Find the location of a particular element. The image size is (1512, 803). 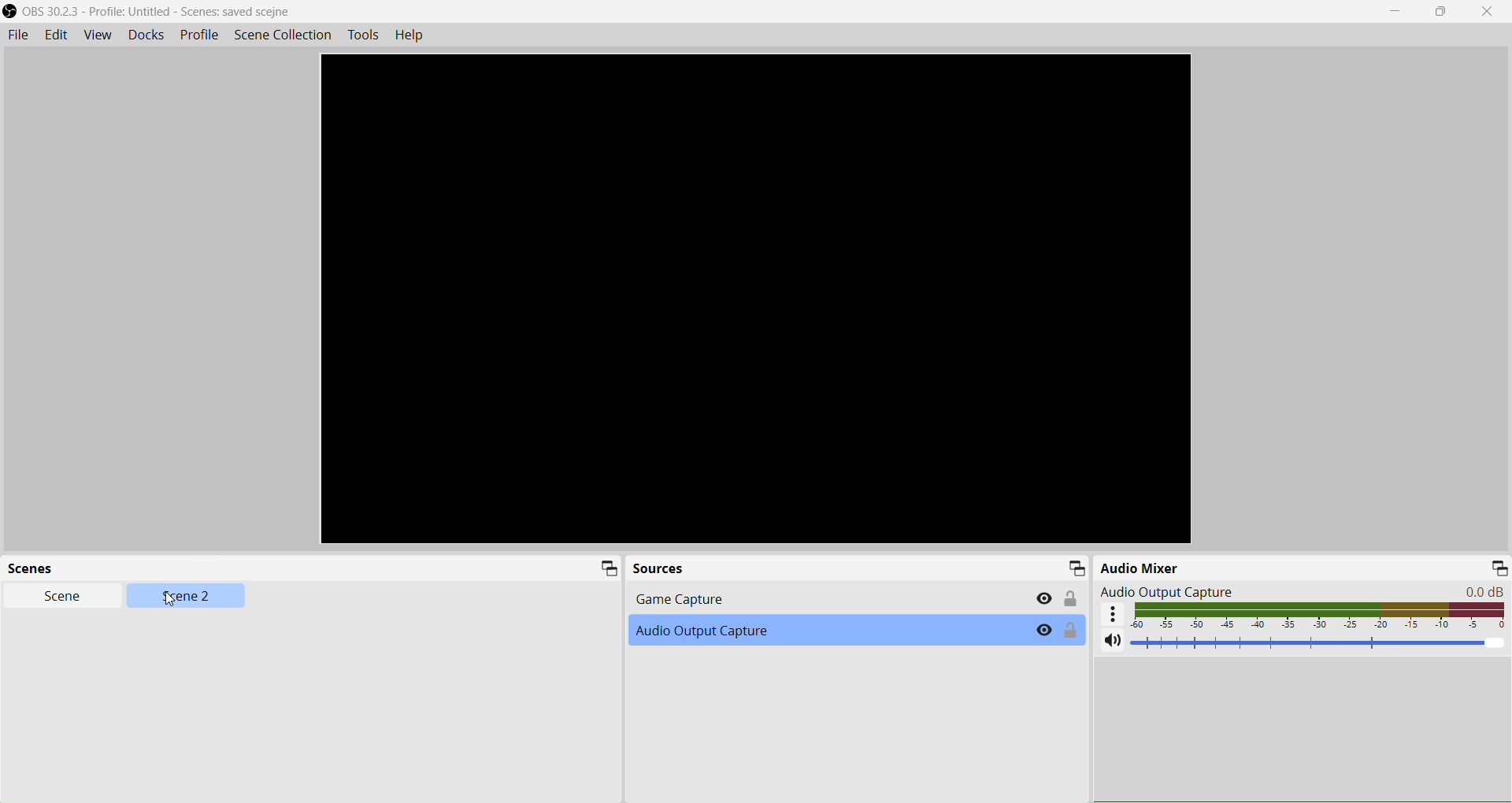

Audio Output Capture is located at coordinates (855, 629).